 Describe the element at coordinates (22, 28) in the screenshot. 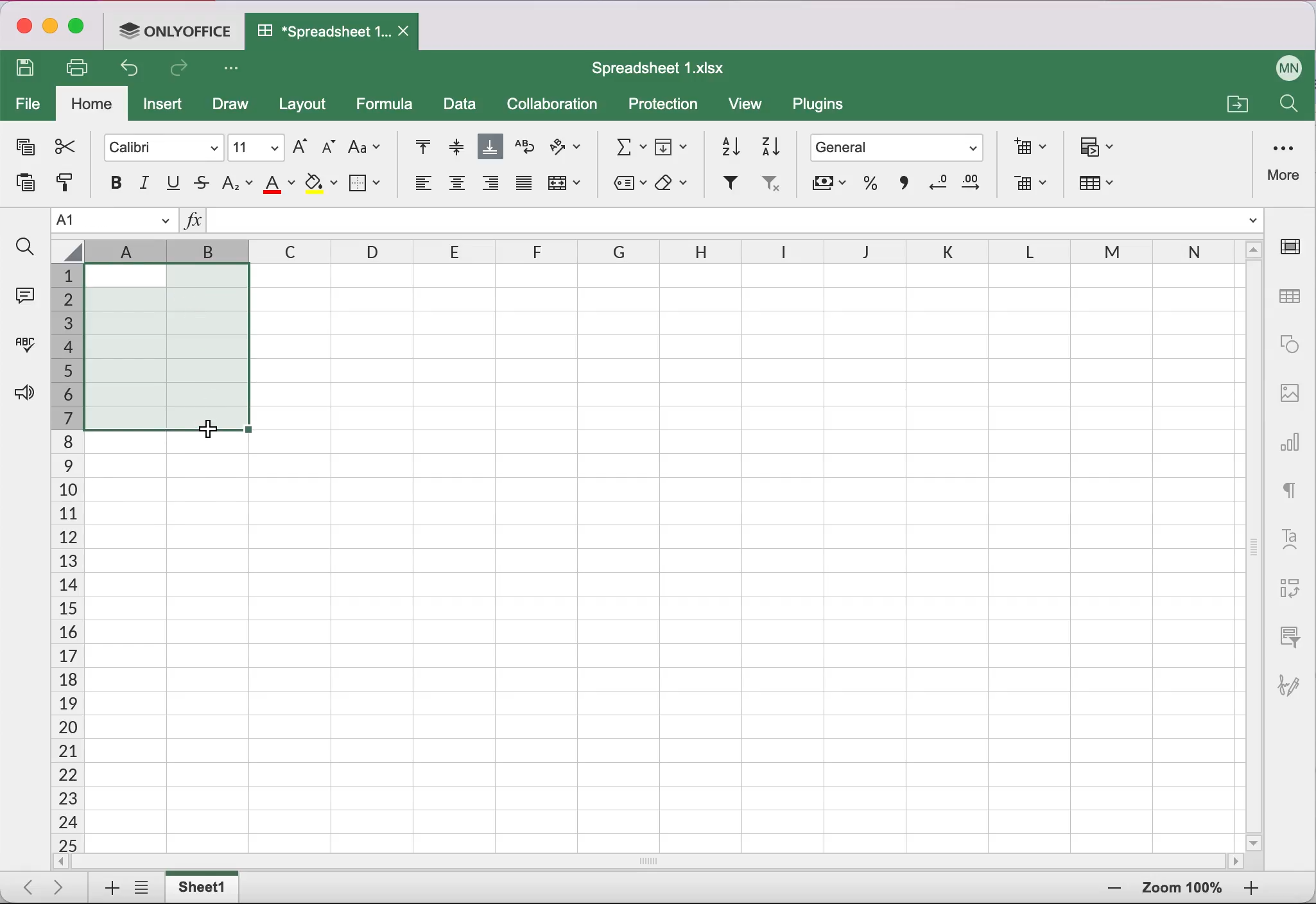

I see `close` at that location.